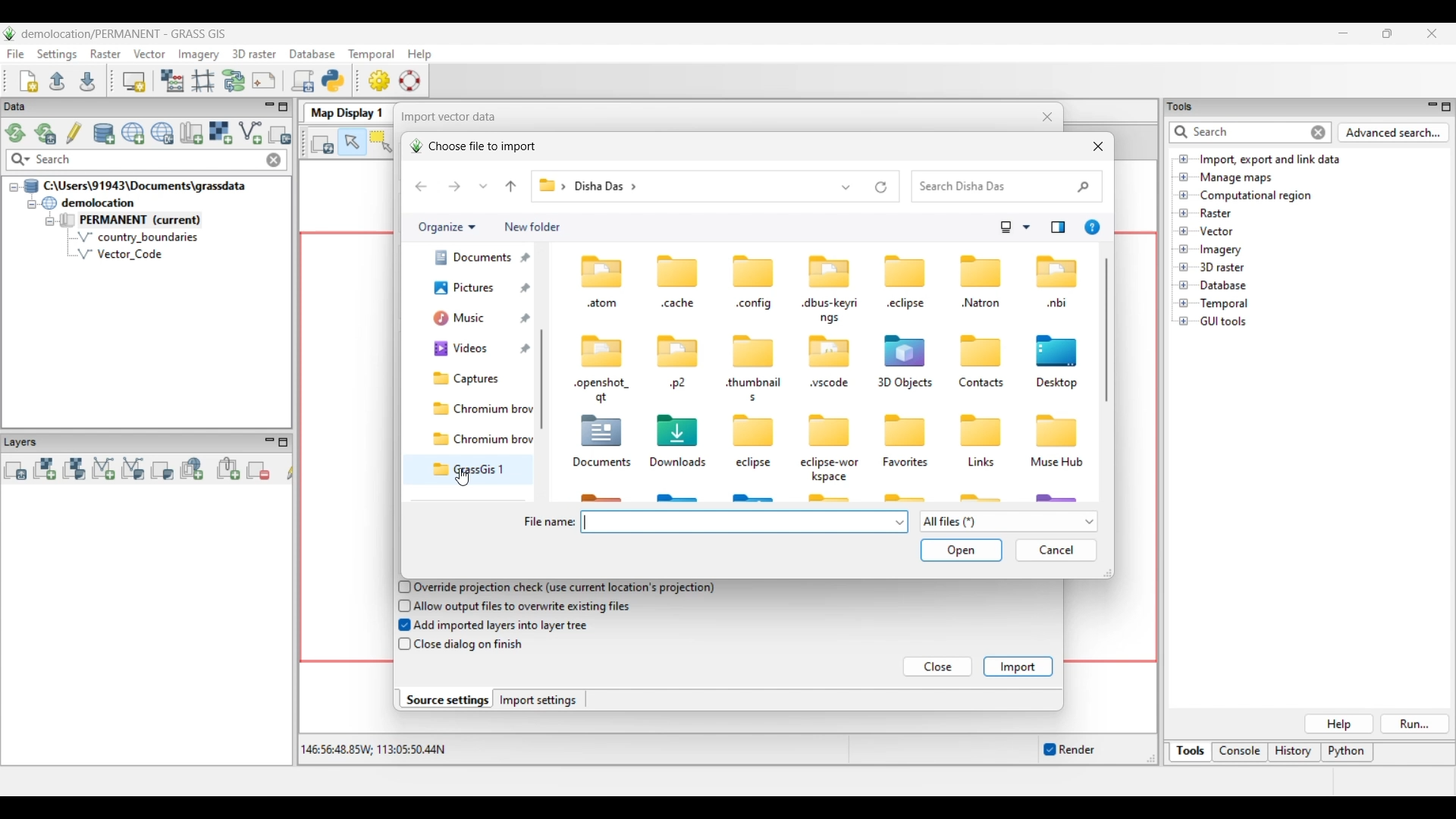 The image size is (1456, 819). What do you see at coordinates (1216, 231) in the screenshot?
I see `Double click to see files under Vector` at bounding box center [1216, 231].